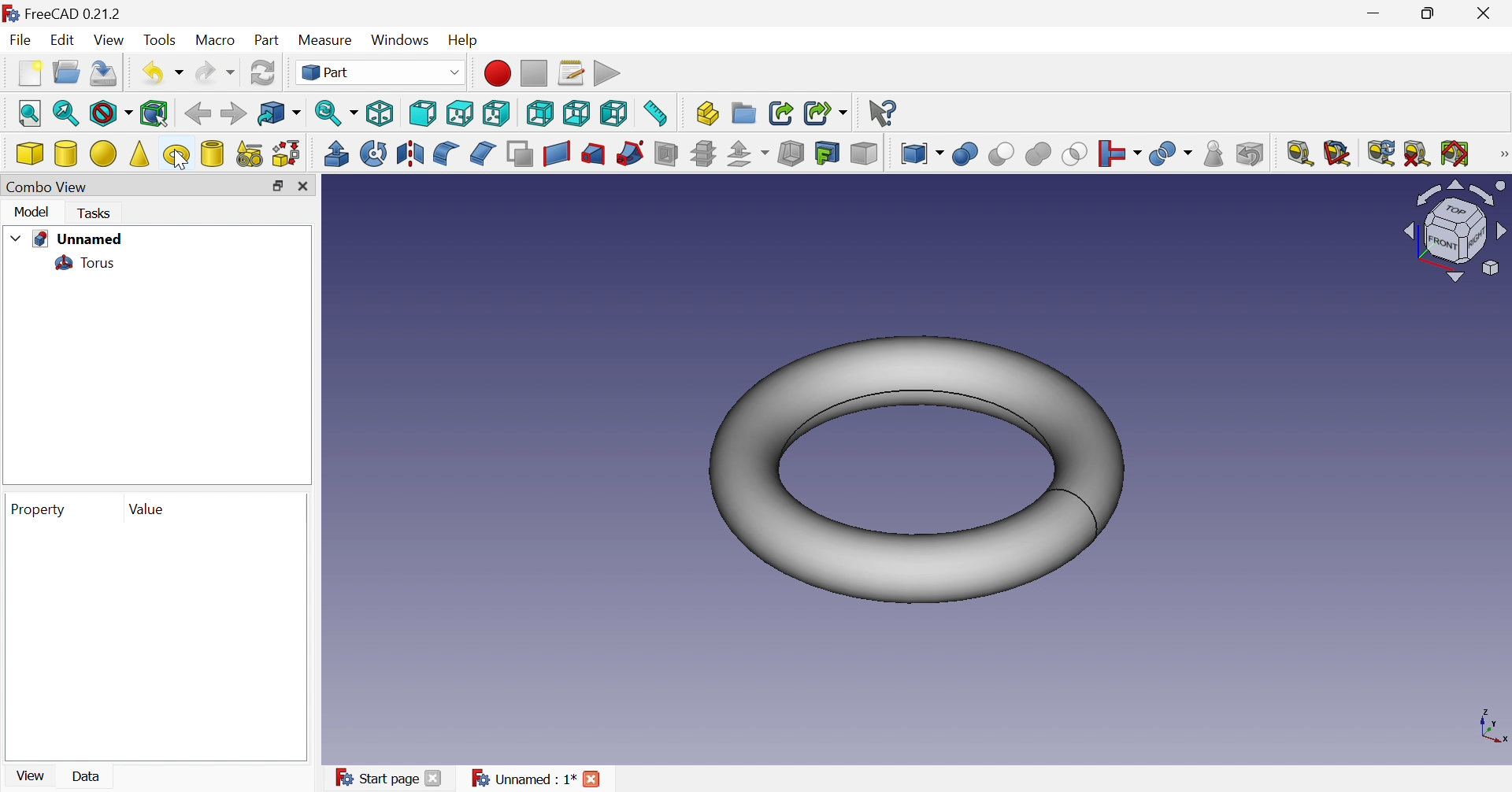 This screenshot has width=1512, height=792. I want to click on Compound tools, so click(920, 154).